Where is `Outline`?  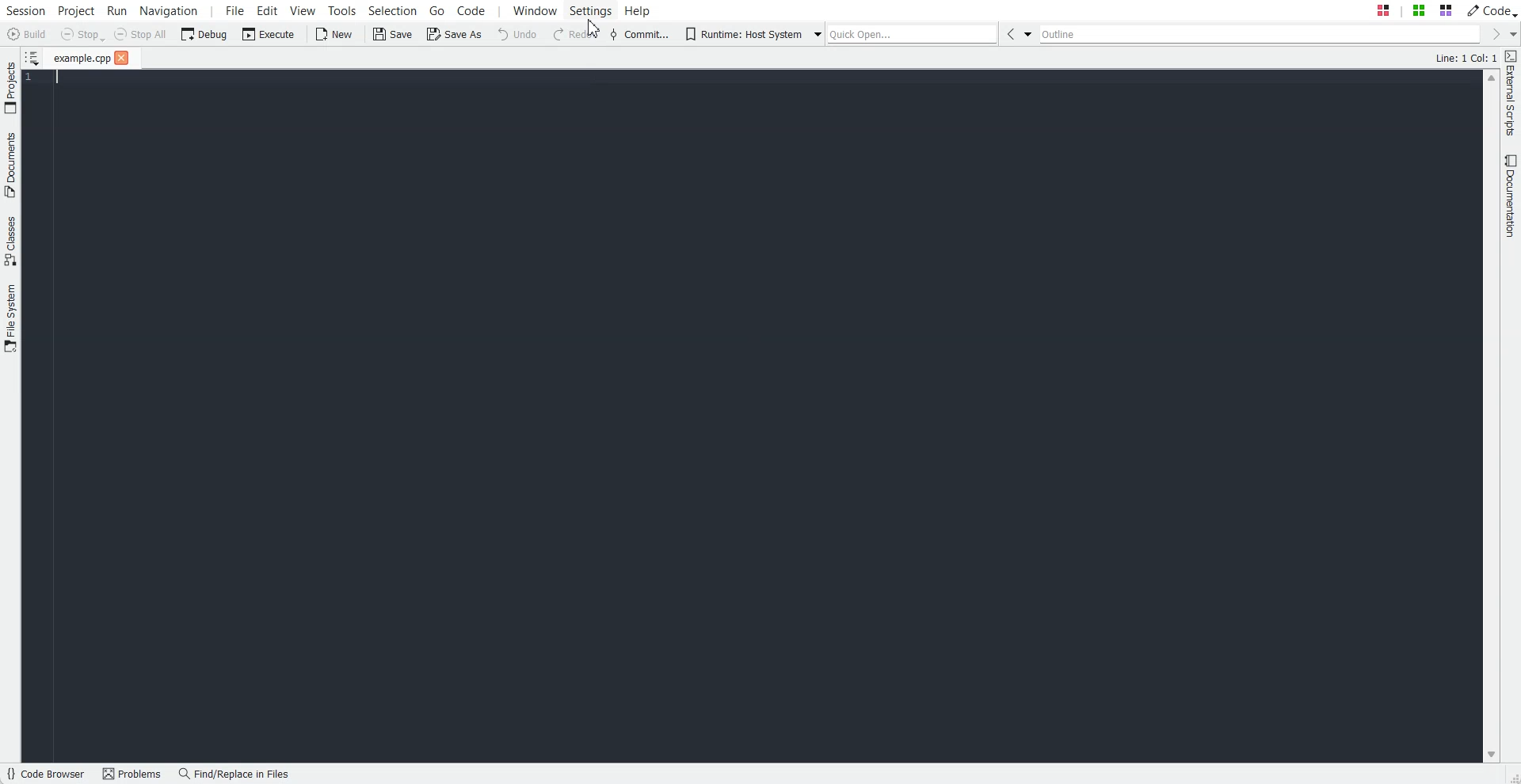 Outline is located at coordinates (1259, 33).